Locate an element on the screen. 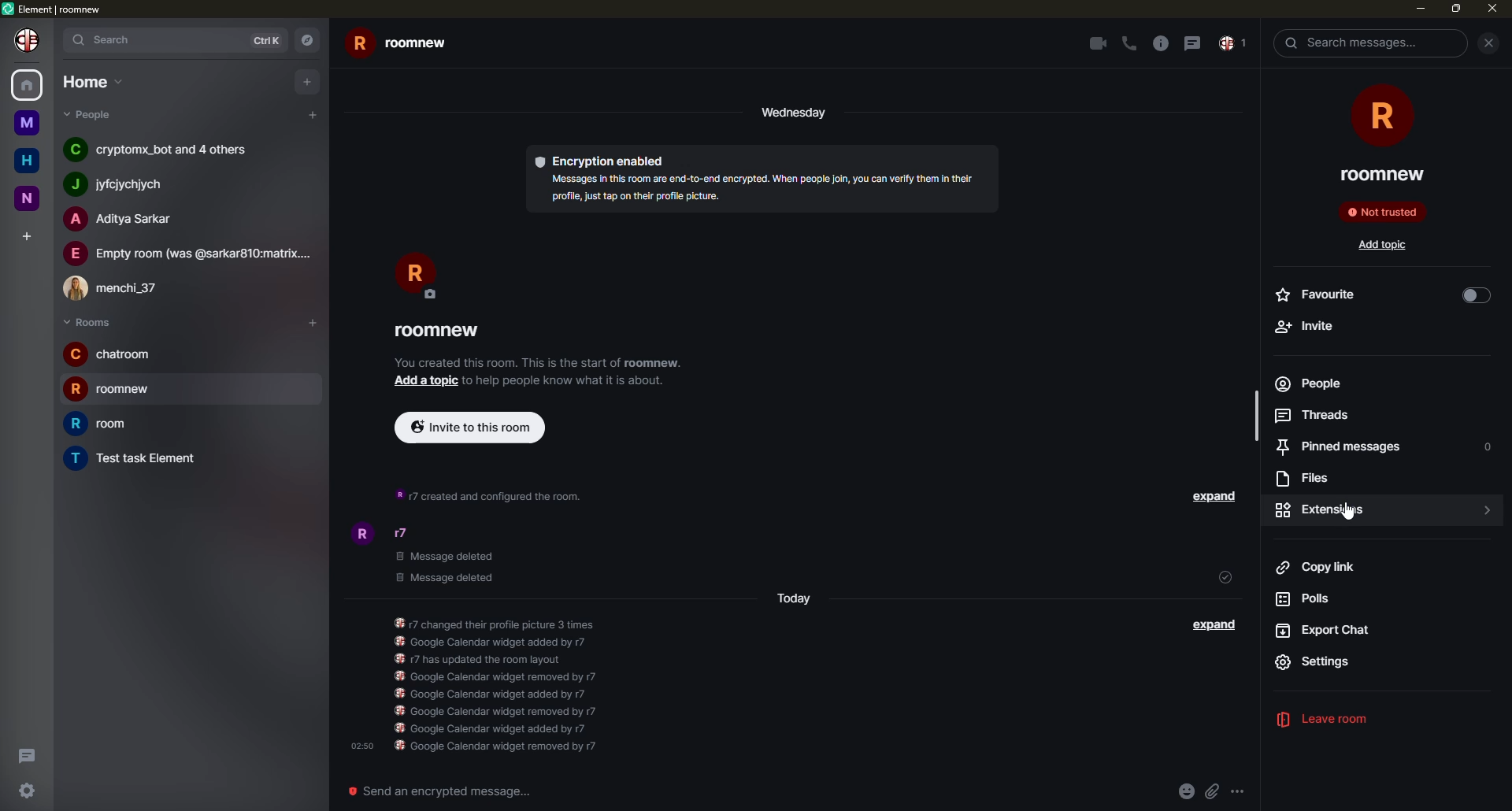 The width and height of the screenshot is (1512, 811). close is located at coordinates (1493, 11).